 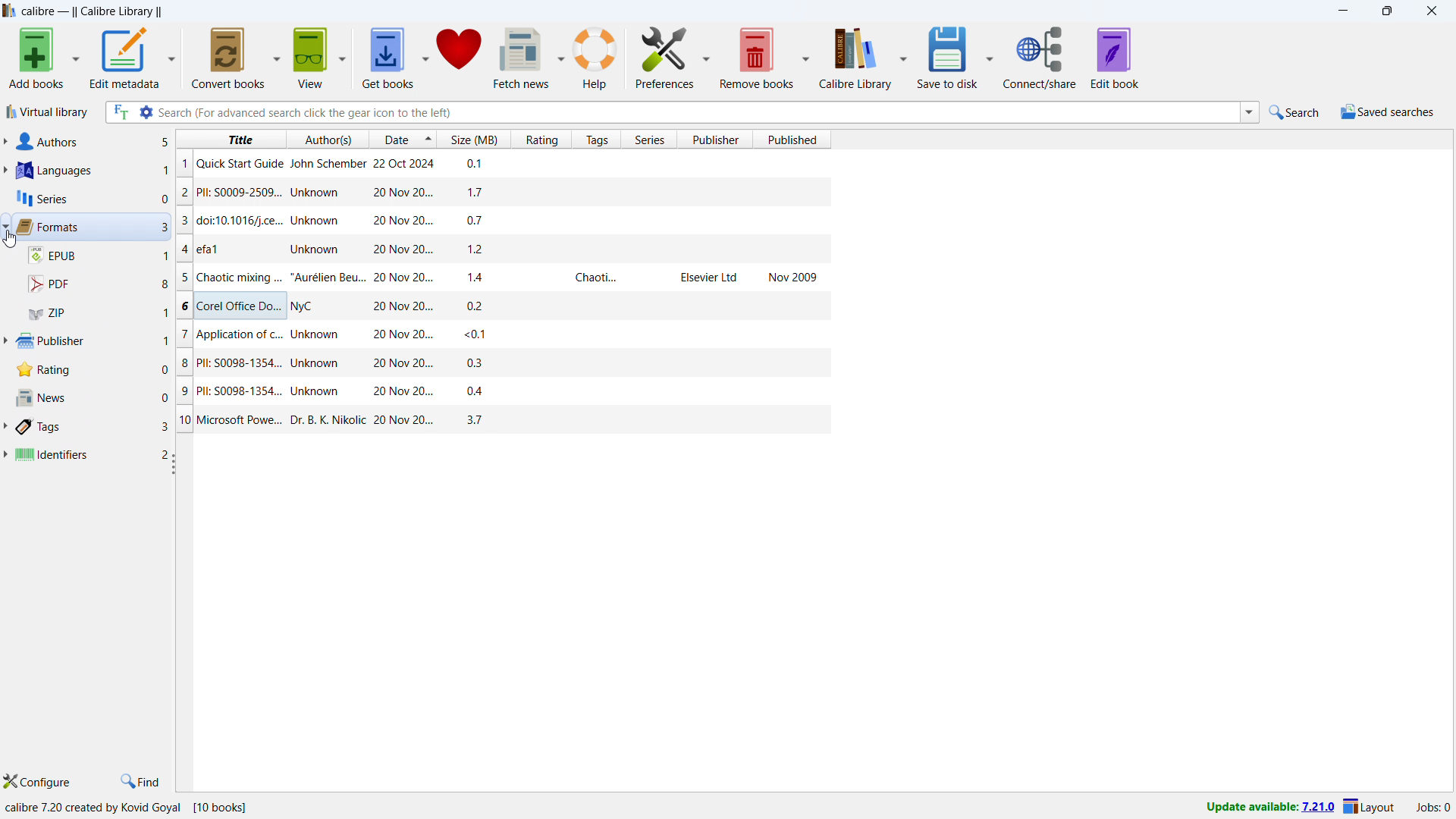 I want to click on update, so click(x=1269, y=807).